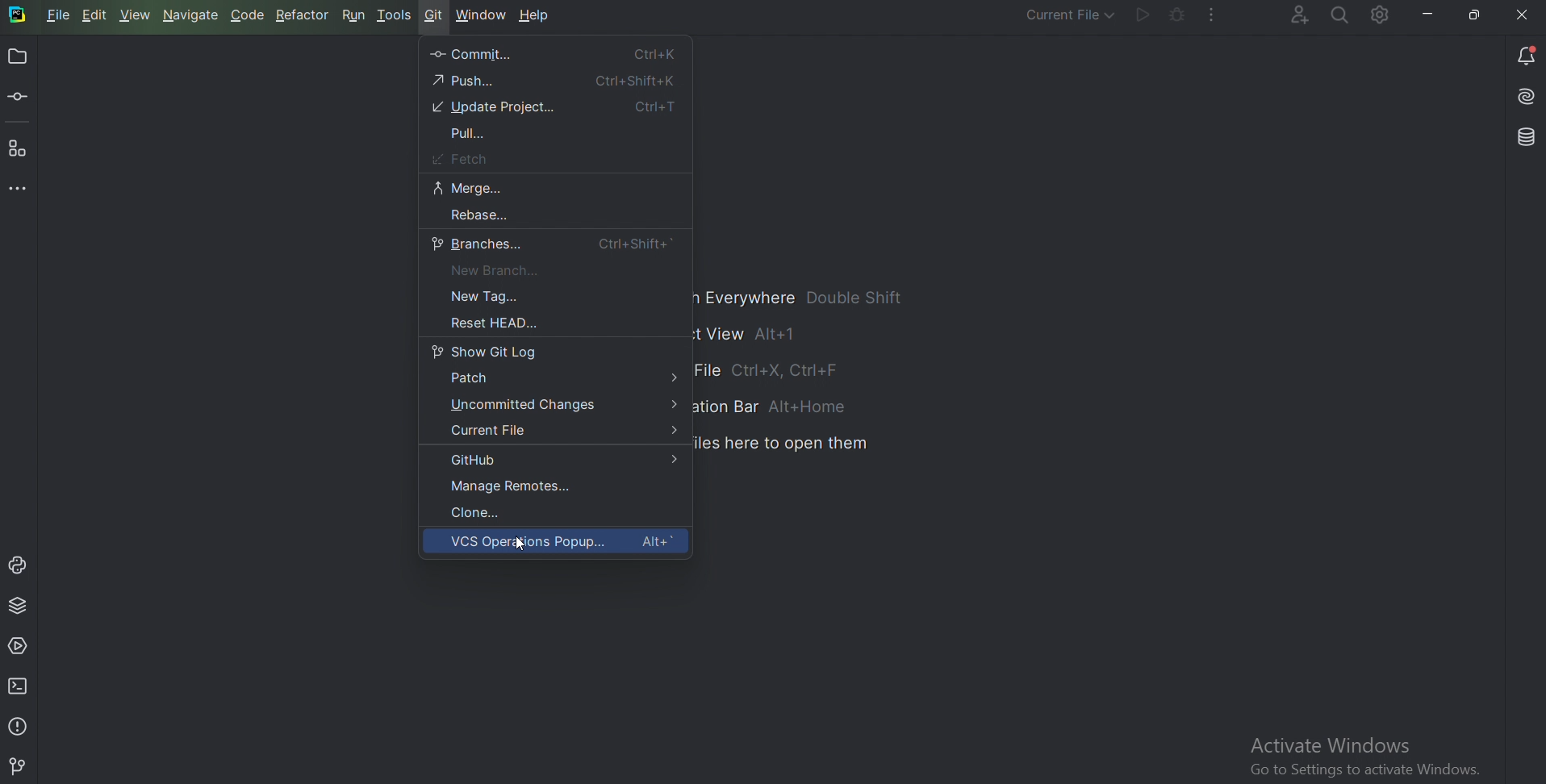 The image size is (1546, 784). Describe the element at coordinates (783, 444) in the screenshot. I see `Drop files here to open them` at that location.